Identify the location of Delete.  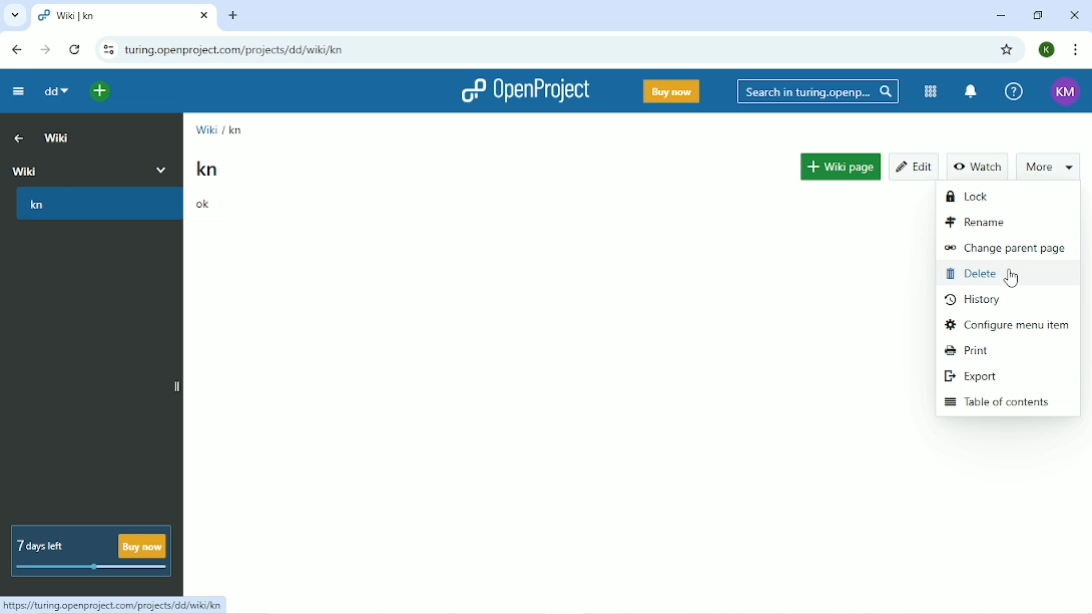
(980, 277).